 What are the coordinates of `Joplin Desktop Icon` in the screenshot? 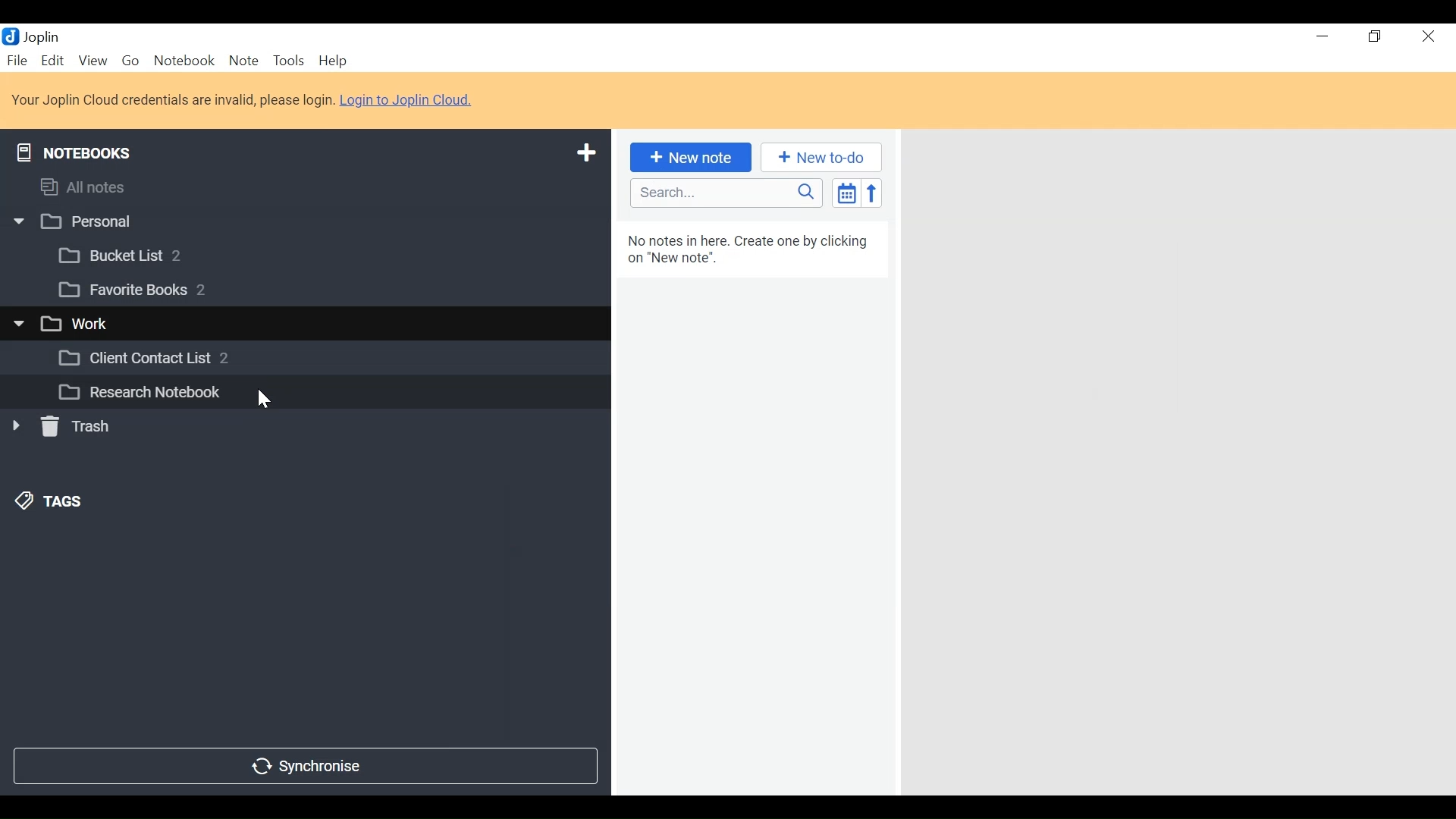 It's located at (39, 36).